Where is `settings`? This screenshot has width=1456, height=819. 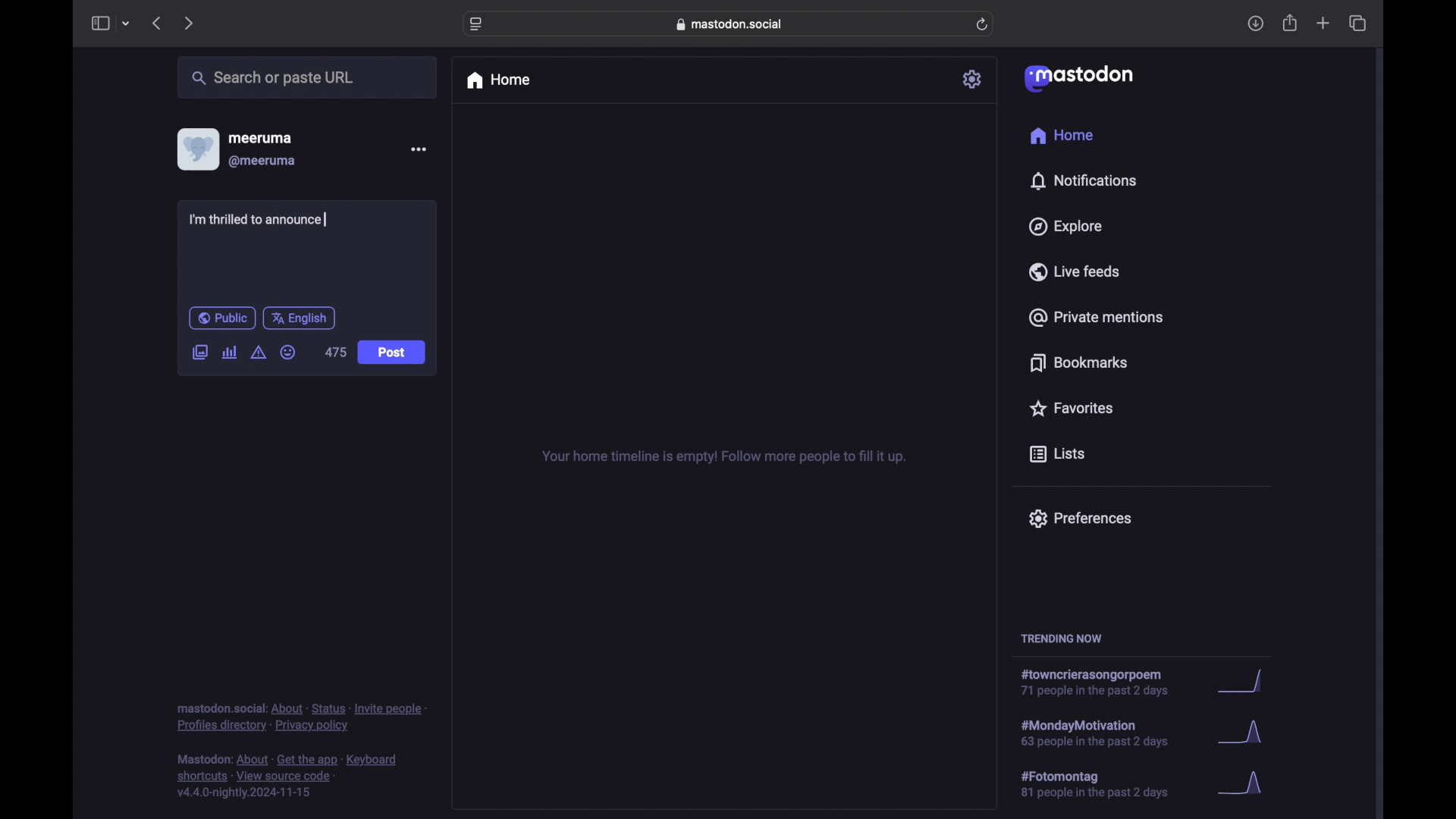
settings is located at coordinates (973, 79).